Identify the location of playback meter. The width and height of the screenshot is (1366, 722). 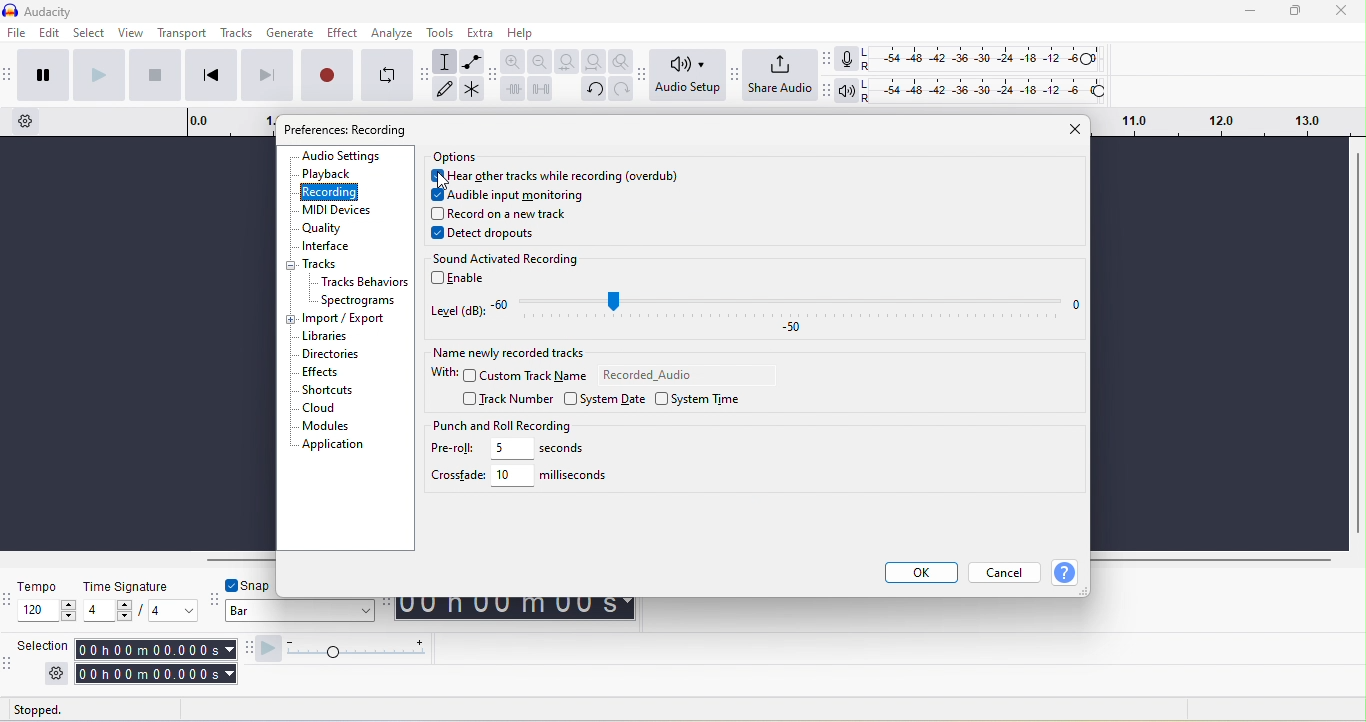
(847, 91).